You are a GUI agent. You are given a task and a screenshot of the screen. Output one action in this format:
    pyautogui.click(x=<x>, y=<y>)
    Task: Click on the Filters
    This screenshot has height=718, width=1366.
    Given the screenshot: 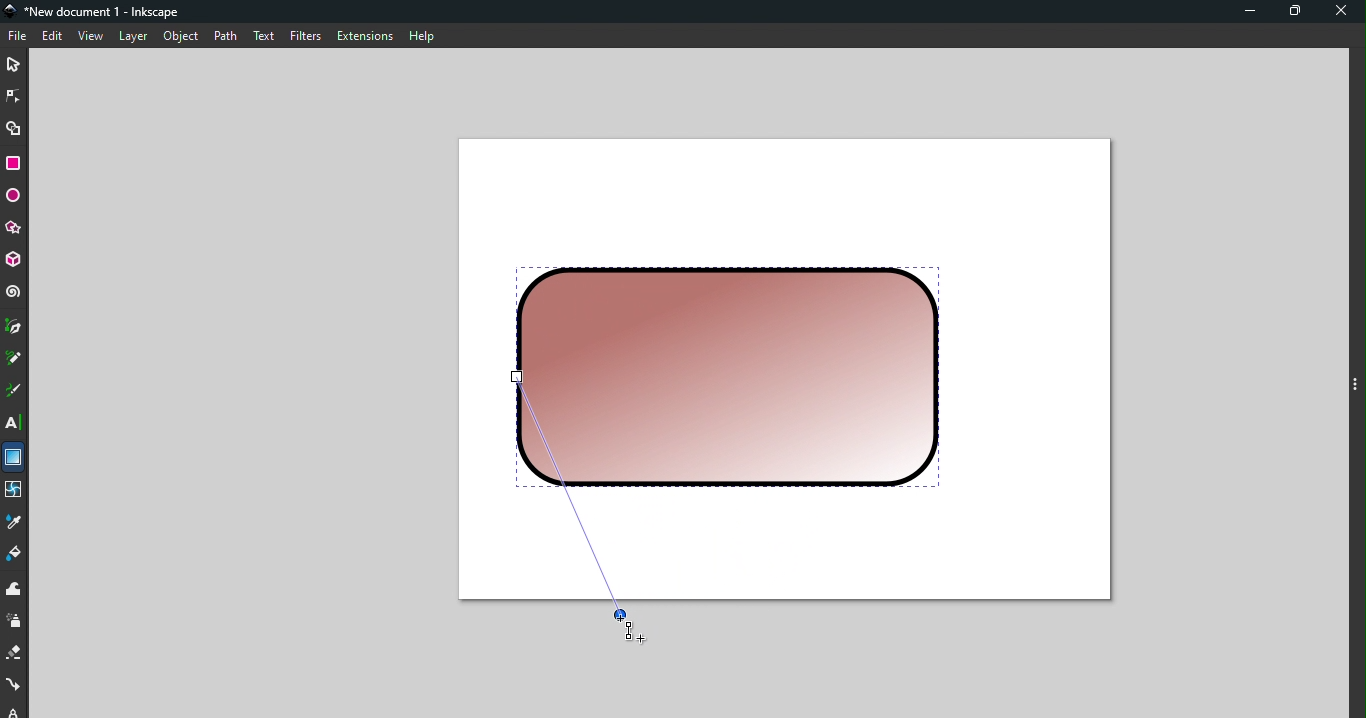 What is the action you would take?
    pyautogui.click(x=304, y=35)
    